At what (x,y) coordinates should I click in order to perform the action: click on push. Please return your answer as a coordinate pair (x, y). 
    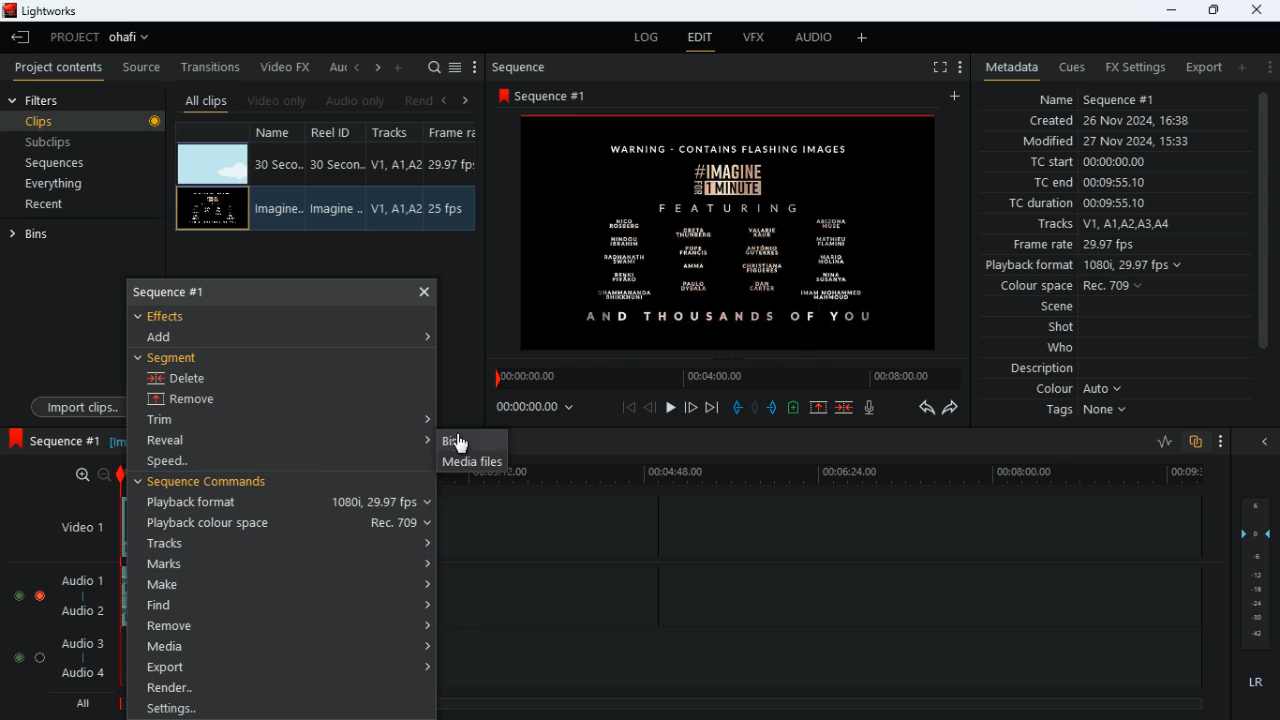
    Looking at the image, I should click on (773, 409).